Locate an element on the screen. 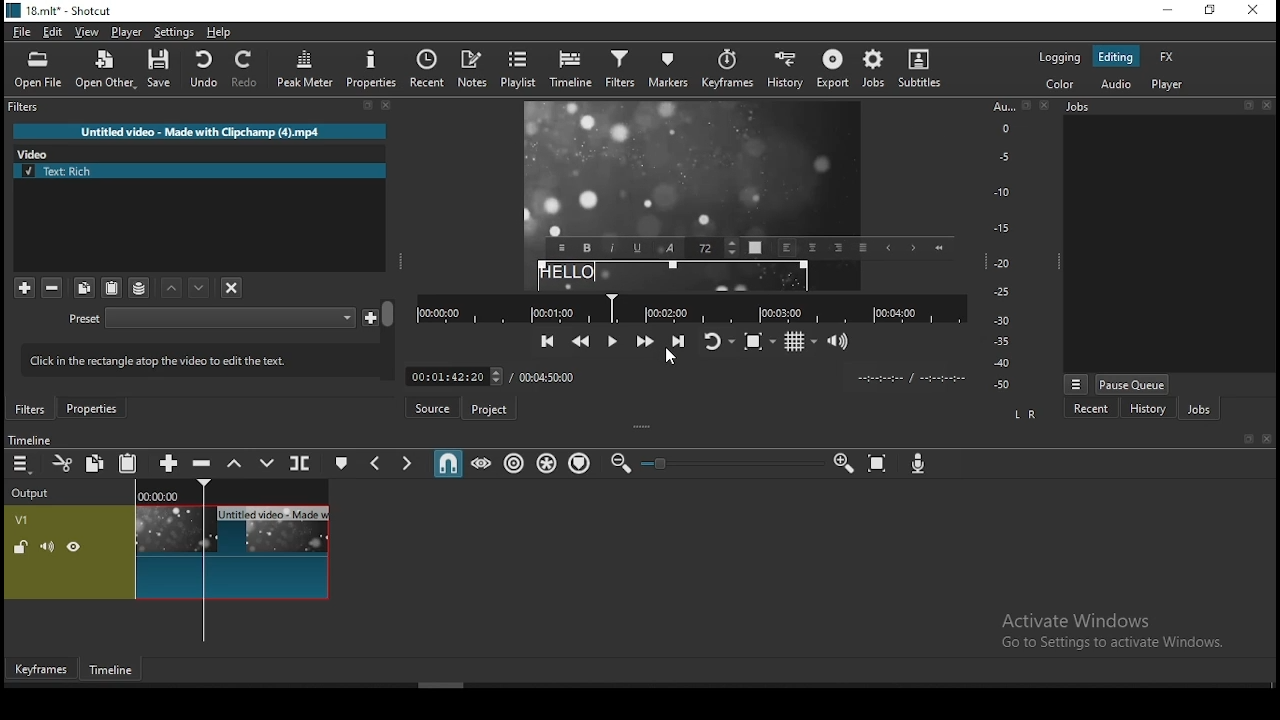 Image resolution: width=1280 pixels, height=720 pixels. Scroll Bar is located at coordinates (389, 339).